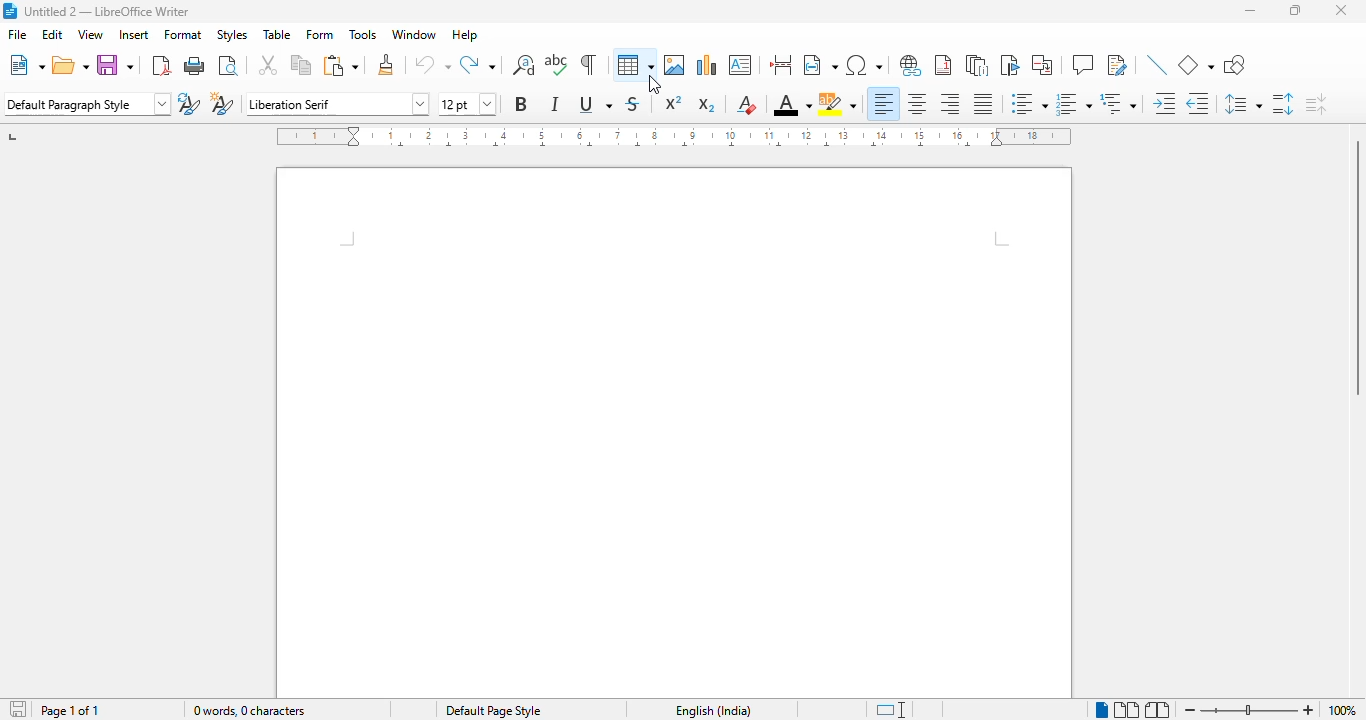 The image size is (1366, 720). Describe the element at coordinates (674, 137) in the screenshot. I see `ruler` at that location.